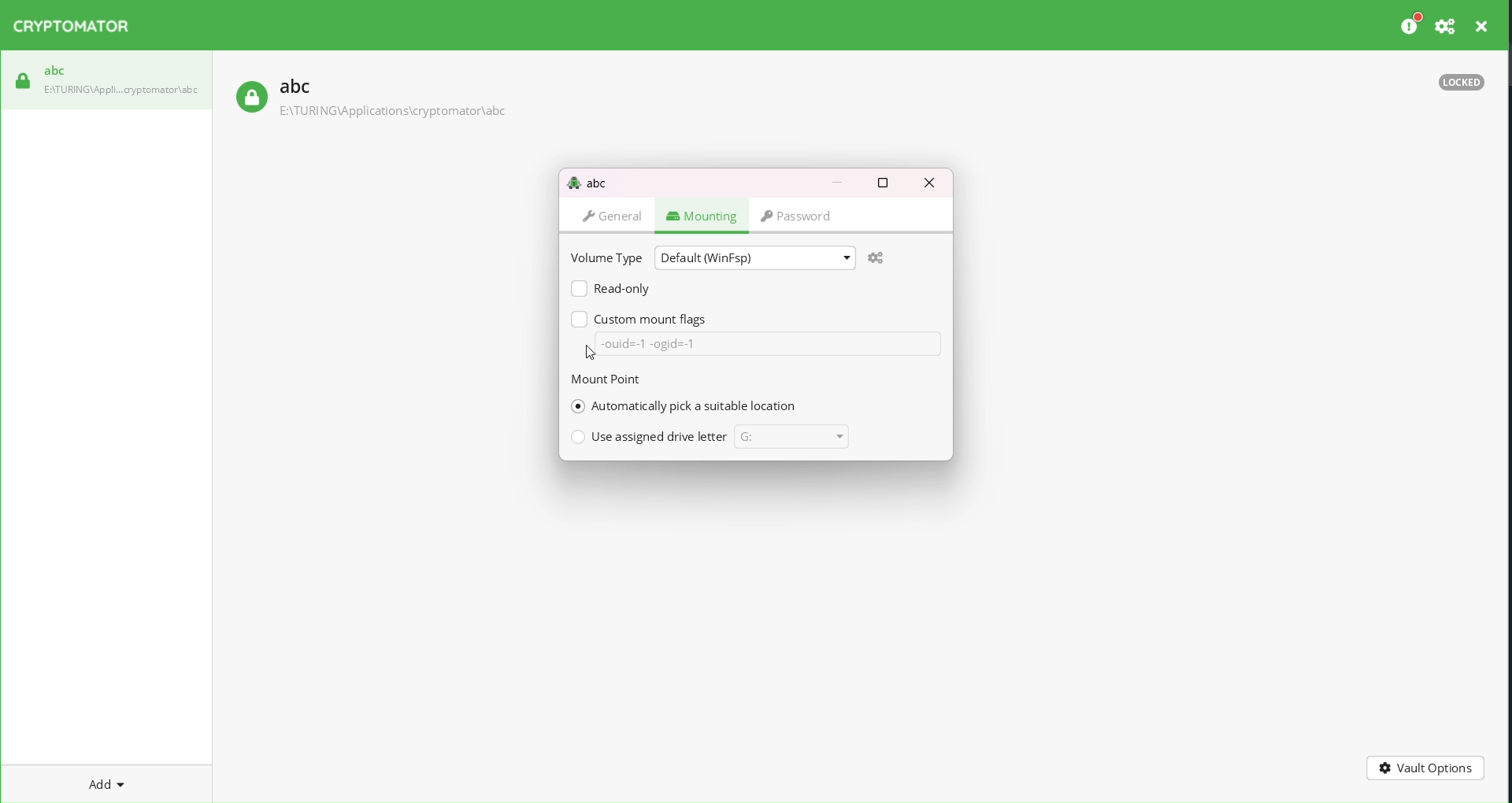 This screenshot has height=803, width=1512. What do you see at coordinates (836, 182) in the screenshot?
I see `minimize` at bounding box center [836, 182].